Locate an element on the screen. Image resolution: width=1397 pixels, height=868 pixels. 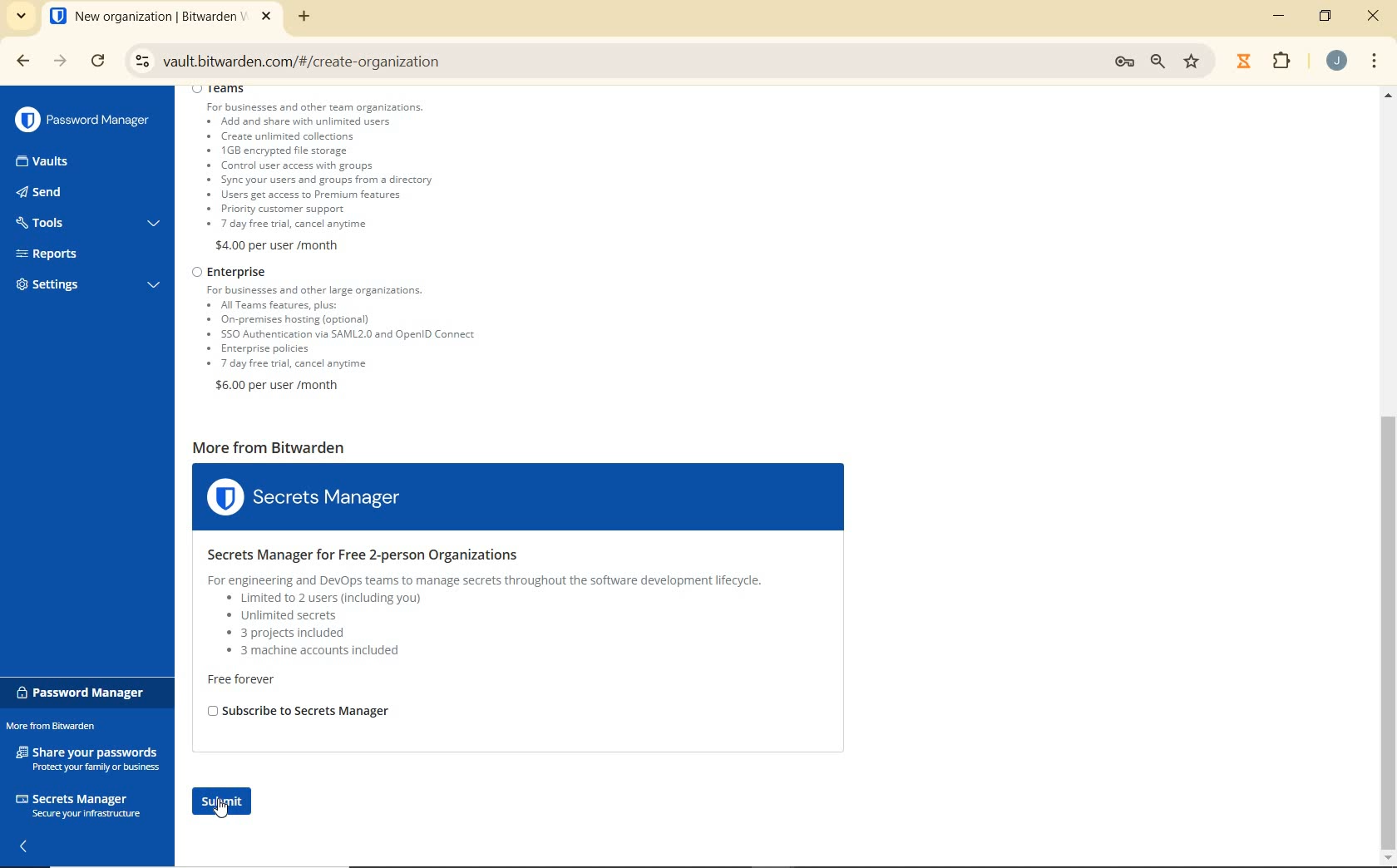
close is located at coordinates (1374, 17).